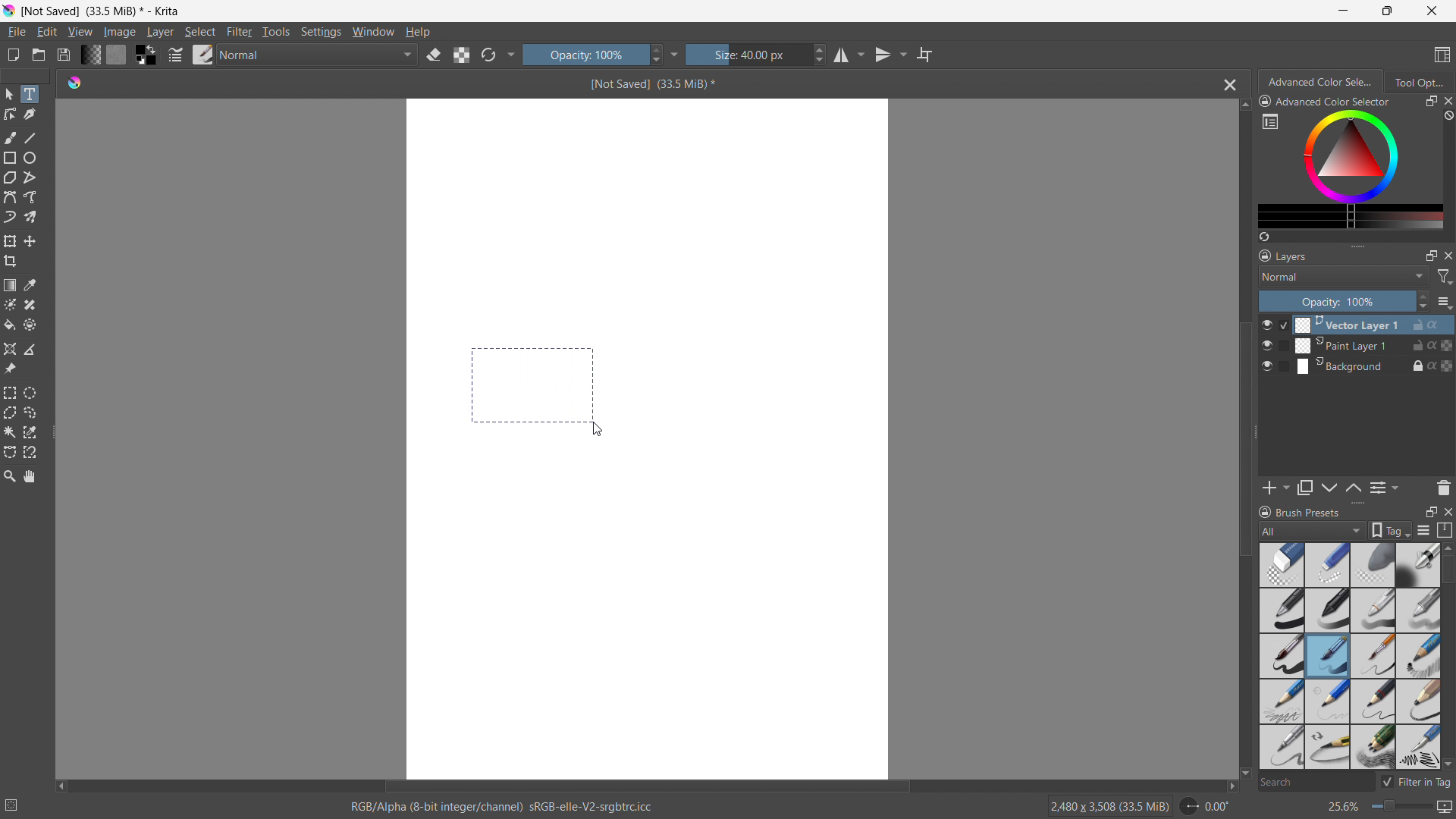 This screenshot has height=819, width=1456. What do you see at coordinates (1270, 121) in the screenshot?
I see `more settings` at bounding box center [1270, 121].